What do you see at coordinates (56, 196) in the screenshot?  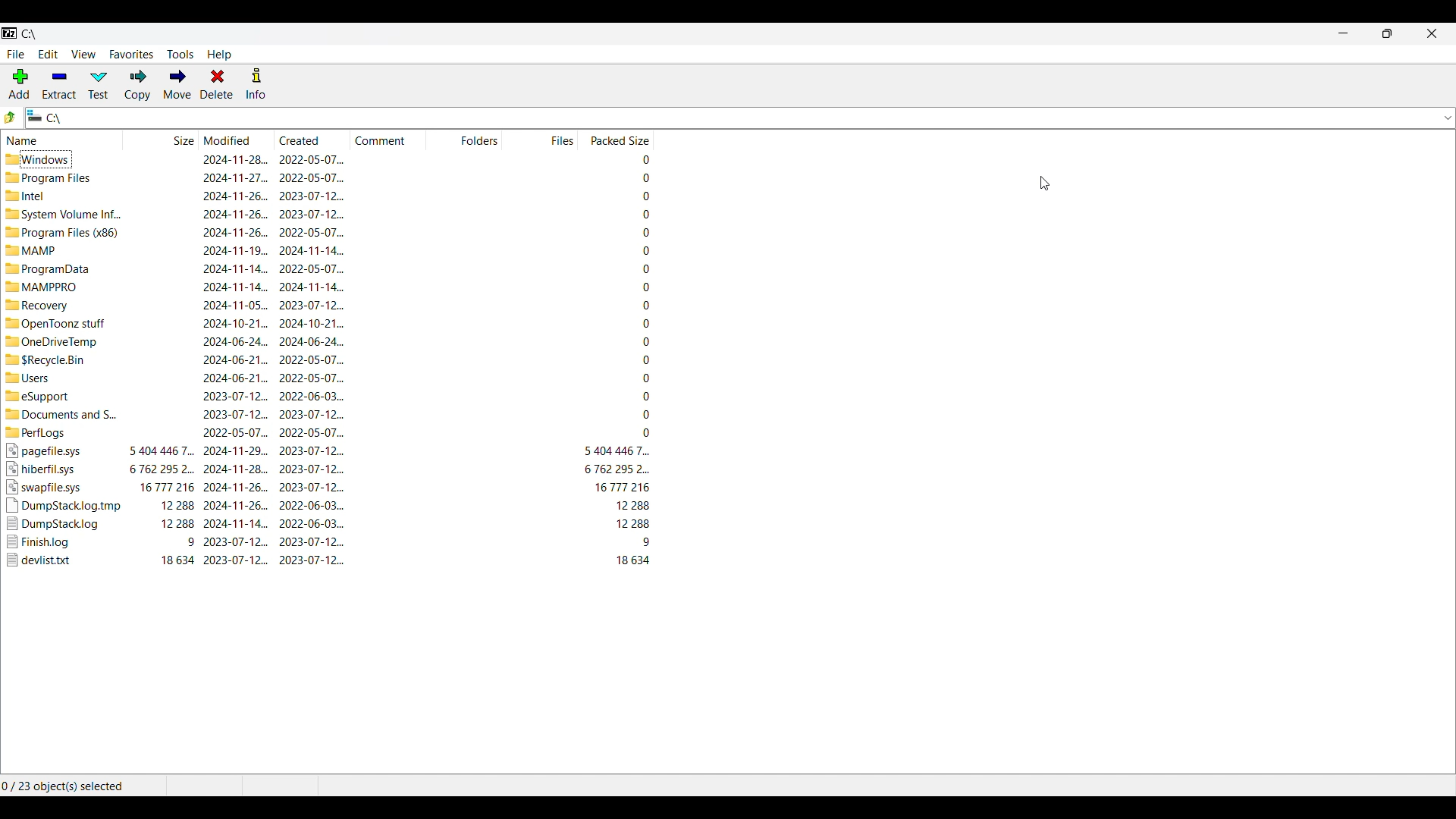 I see `Intel` at bounding box center [56, 196].